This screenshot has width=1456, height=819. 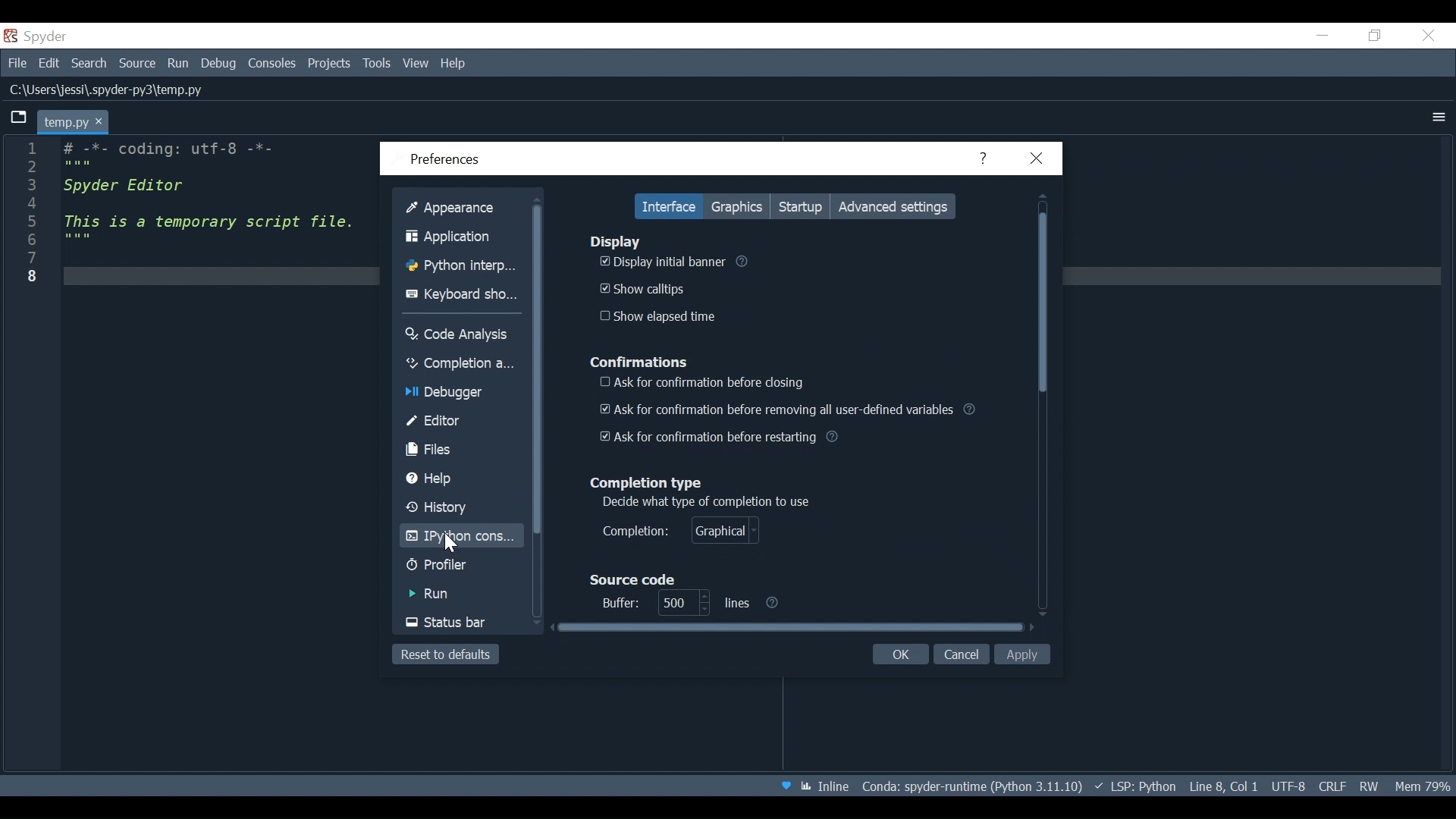 What do you see at coordinates (174, 63) in the screenshot?
I see `Run` at bounding box center [174, 63].